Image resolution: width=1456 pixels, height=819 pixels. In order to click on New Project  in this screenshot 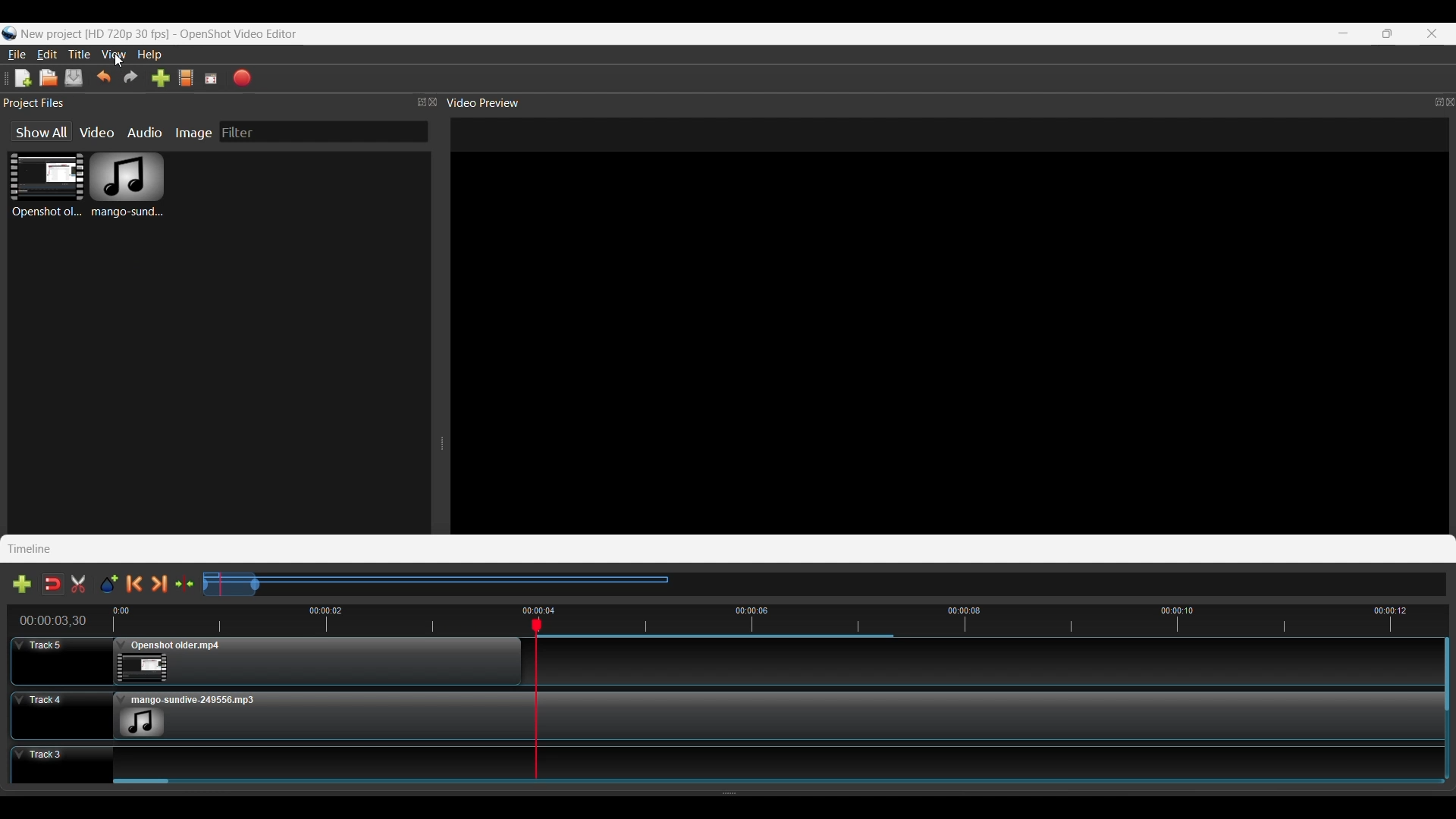, I will do `click(24, 78)`.